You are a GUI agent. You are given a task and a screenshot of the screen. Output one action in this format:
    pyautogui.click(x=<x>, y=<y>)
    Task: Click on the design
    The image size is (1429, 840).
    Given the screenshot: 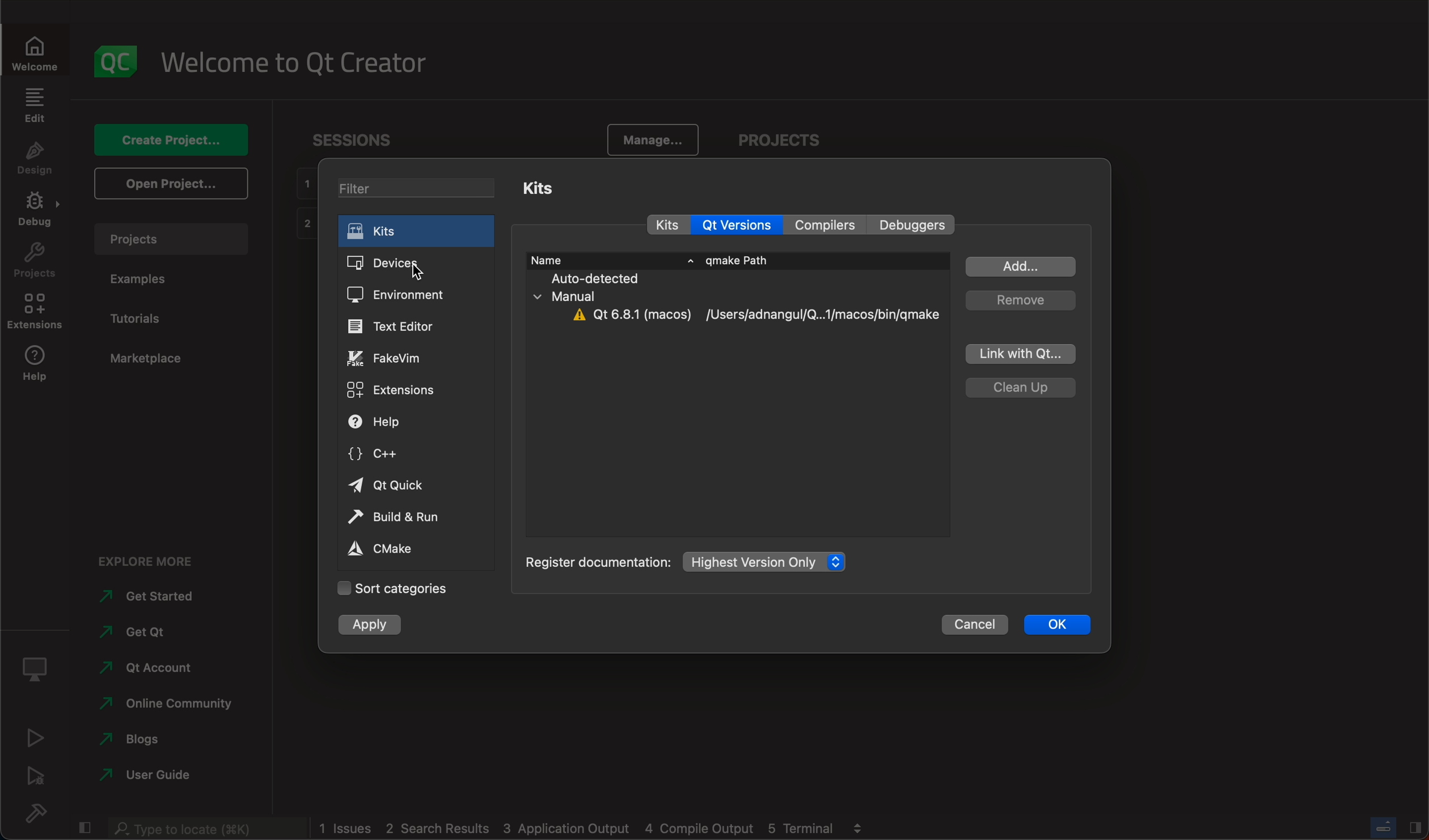 What is the action you would take?
    pyautogui.click(x=38, y=161)
    